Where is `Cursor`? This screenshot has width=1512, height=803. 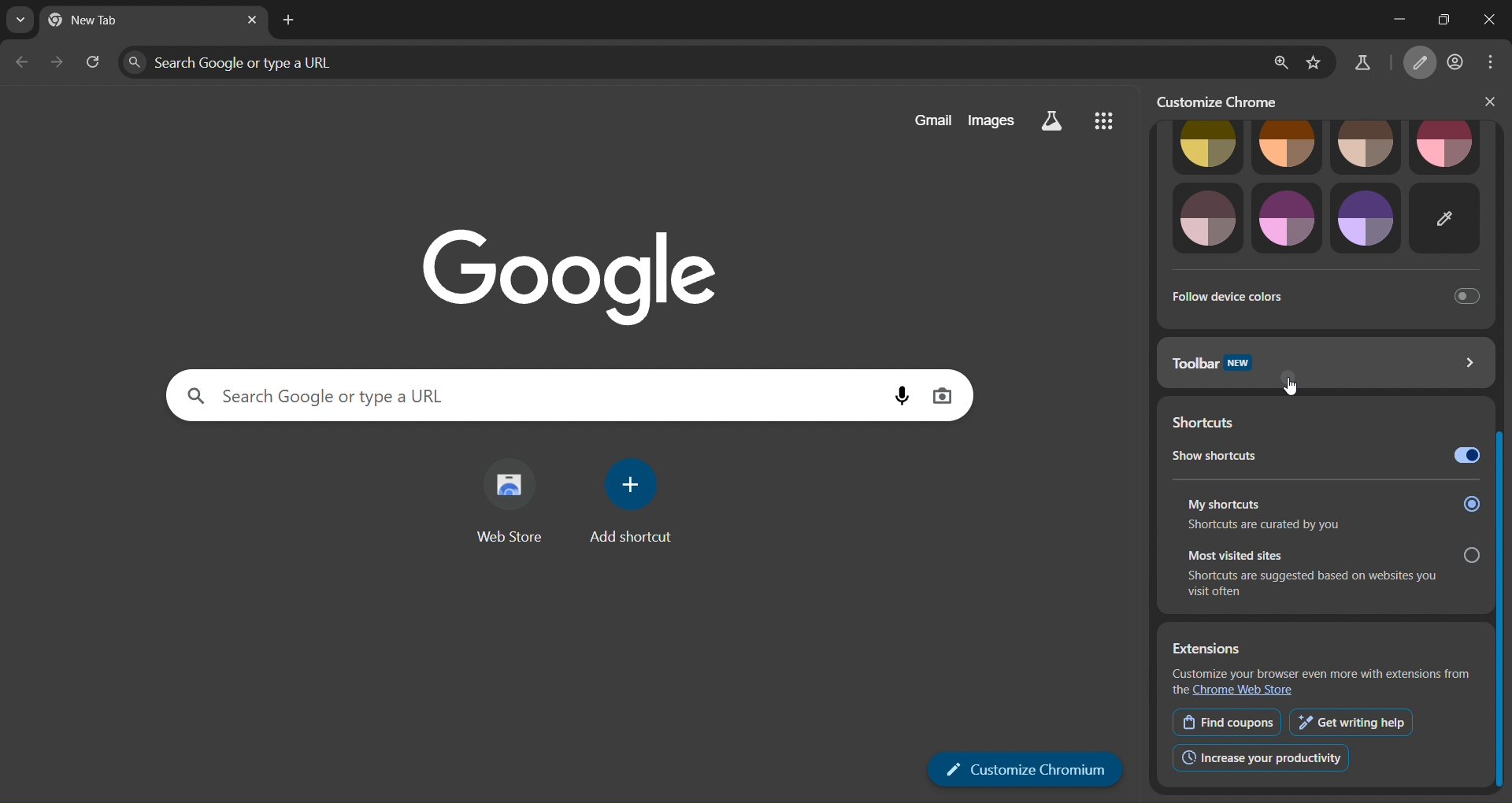
Cursor is located at coordinates (1291, 387).